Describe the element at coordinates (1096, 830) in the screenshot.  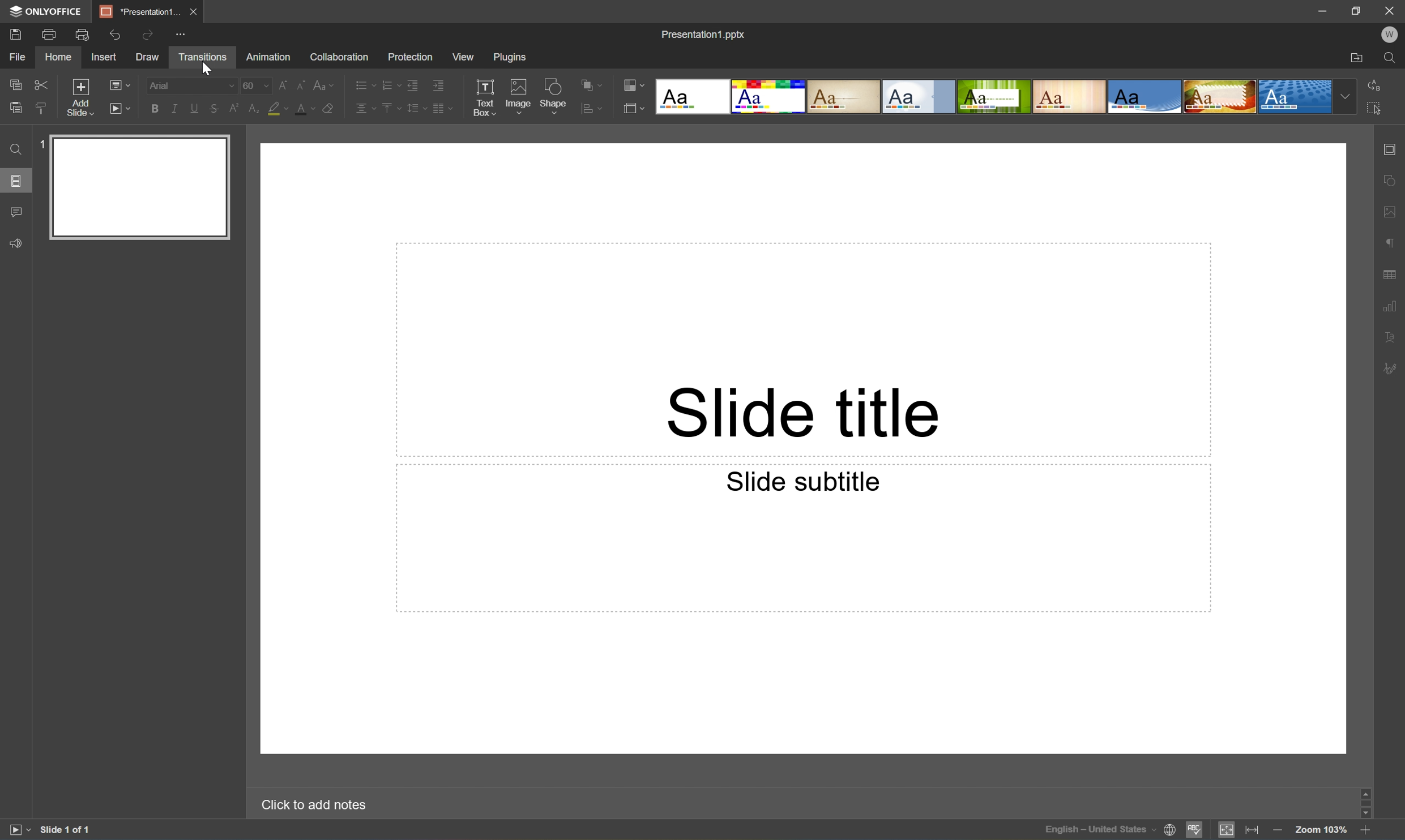
I see `` at that location.